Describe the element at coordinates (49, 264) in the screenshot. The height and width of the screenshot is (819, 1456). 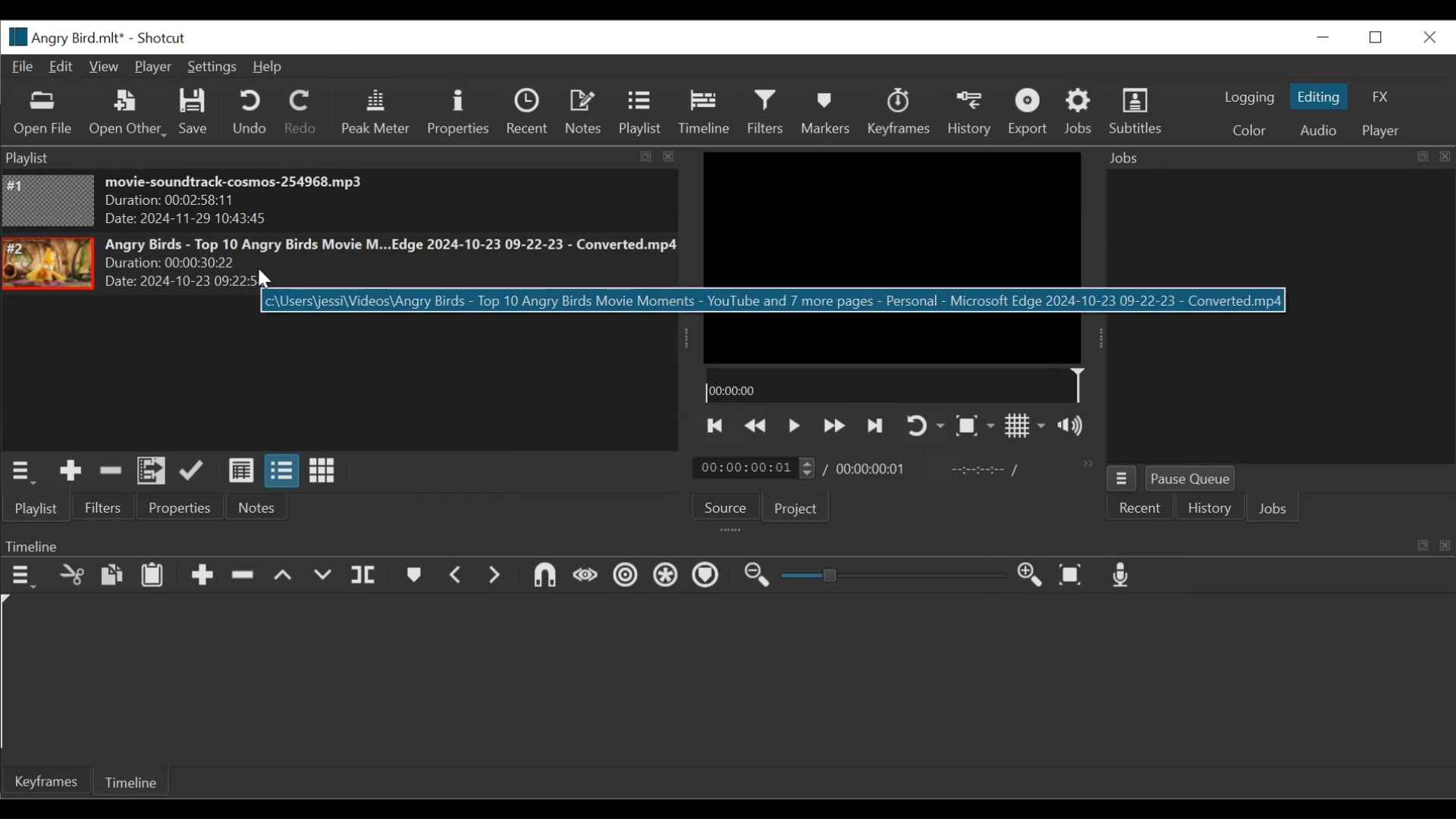
I see `Image` at that location.